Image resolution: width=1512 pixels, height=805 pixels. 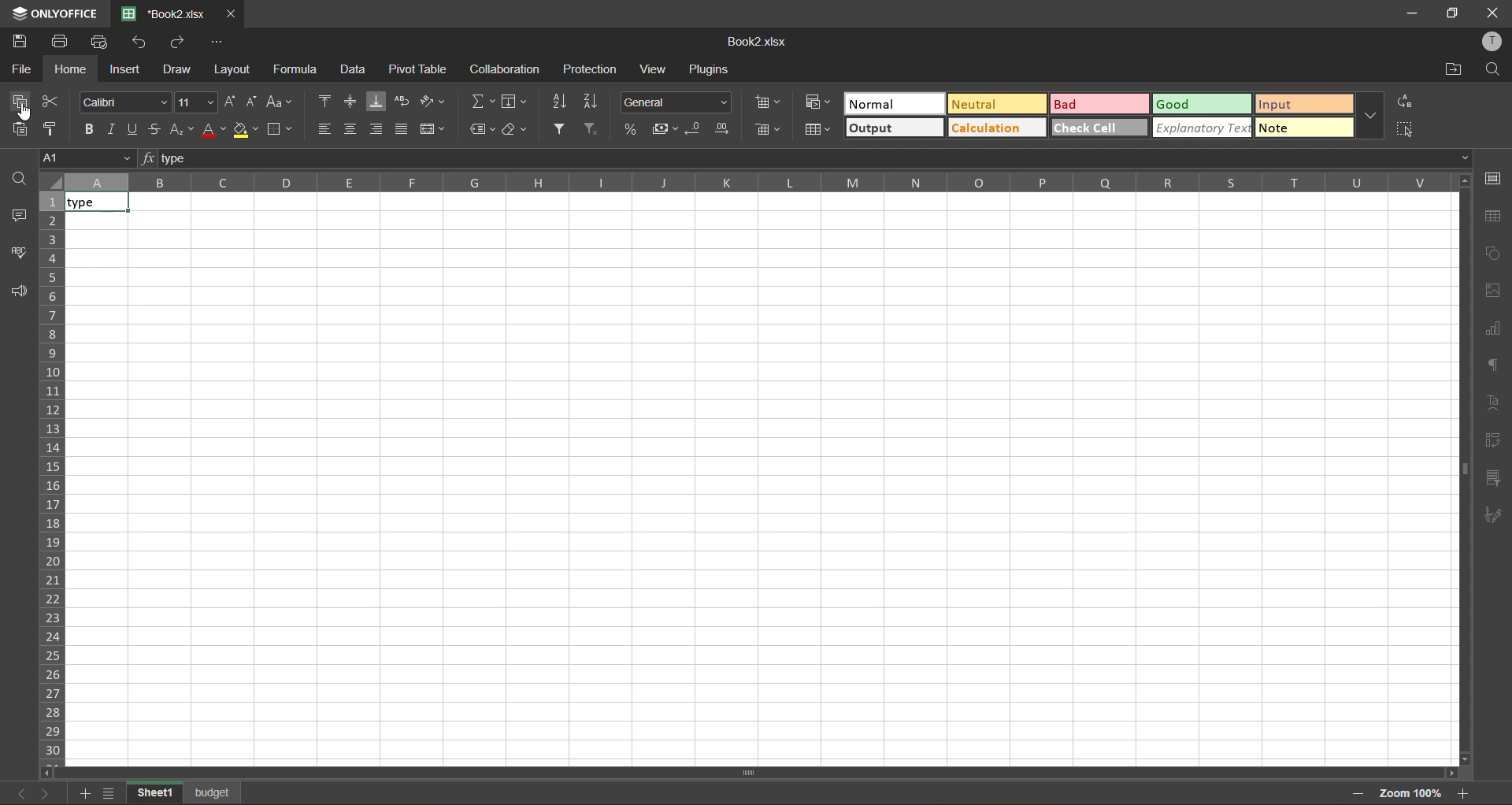 What do you see at coordinates (377, 129) in the screenshot?
I see `align bottom` at bounding box center [377, 129].